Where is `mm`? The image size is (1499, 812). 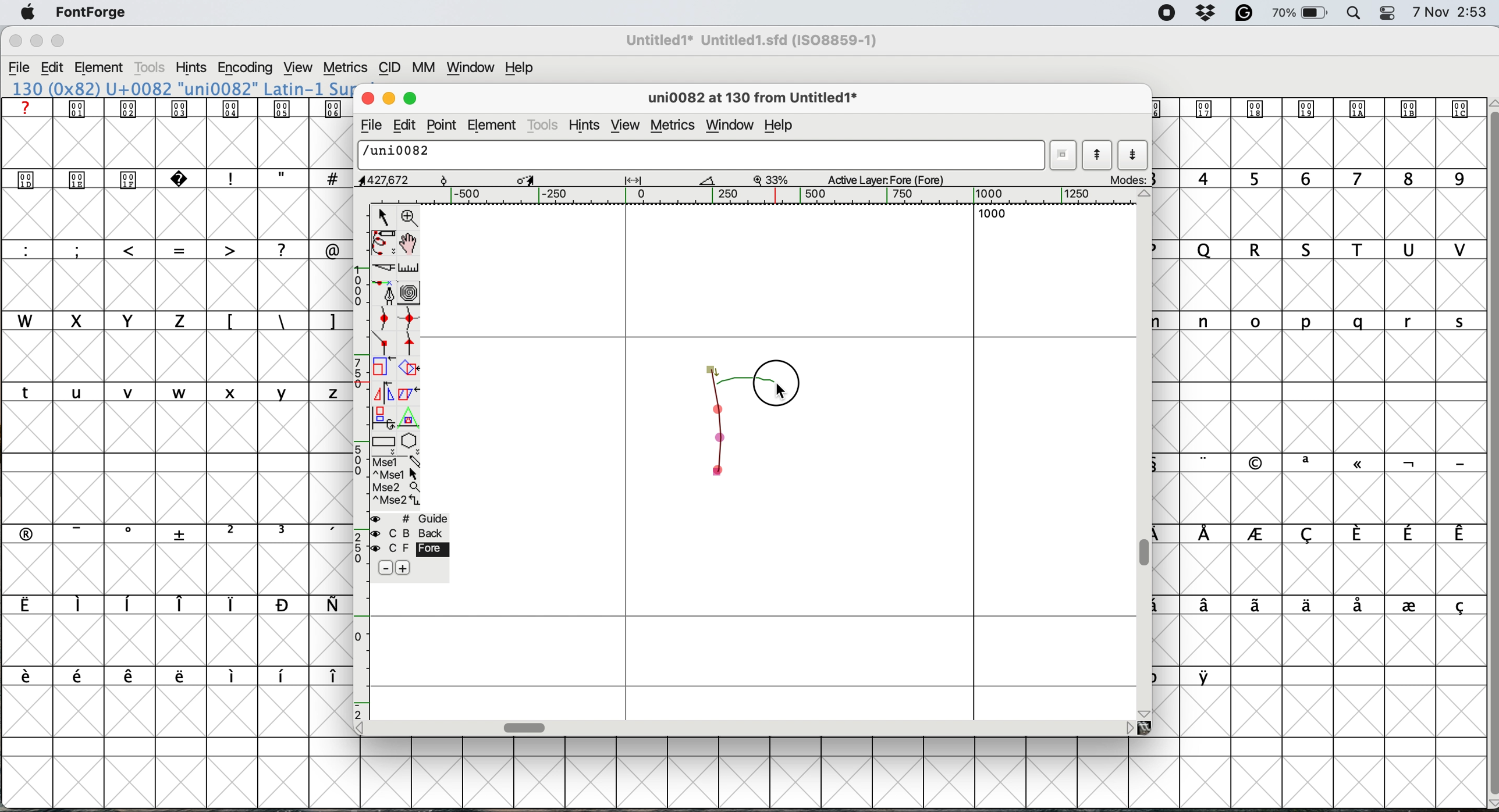
mm is located at coordinates (428, 69).